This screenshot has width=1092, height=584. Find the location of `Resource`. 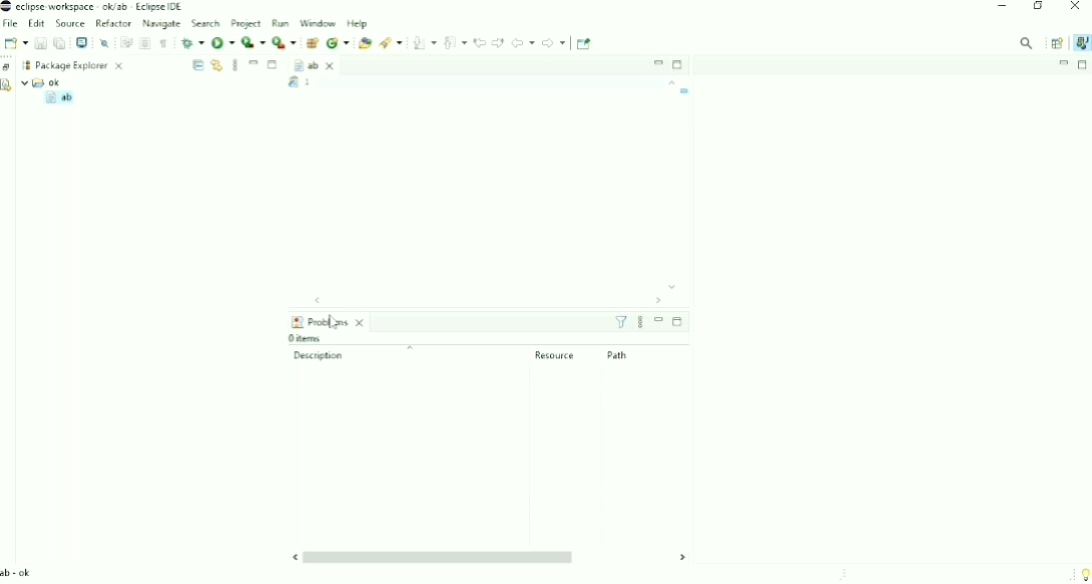

Resource is located at coordinates (555, 355).